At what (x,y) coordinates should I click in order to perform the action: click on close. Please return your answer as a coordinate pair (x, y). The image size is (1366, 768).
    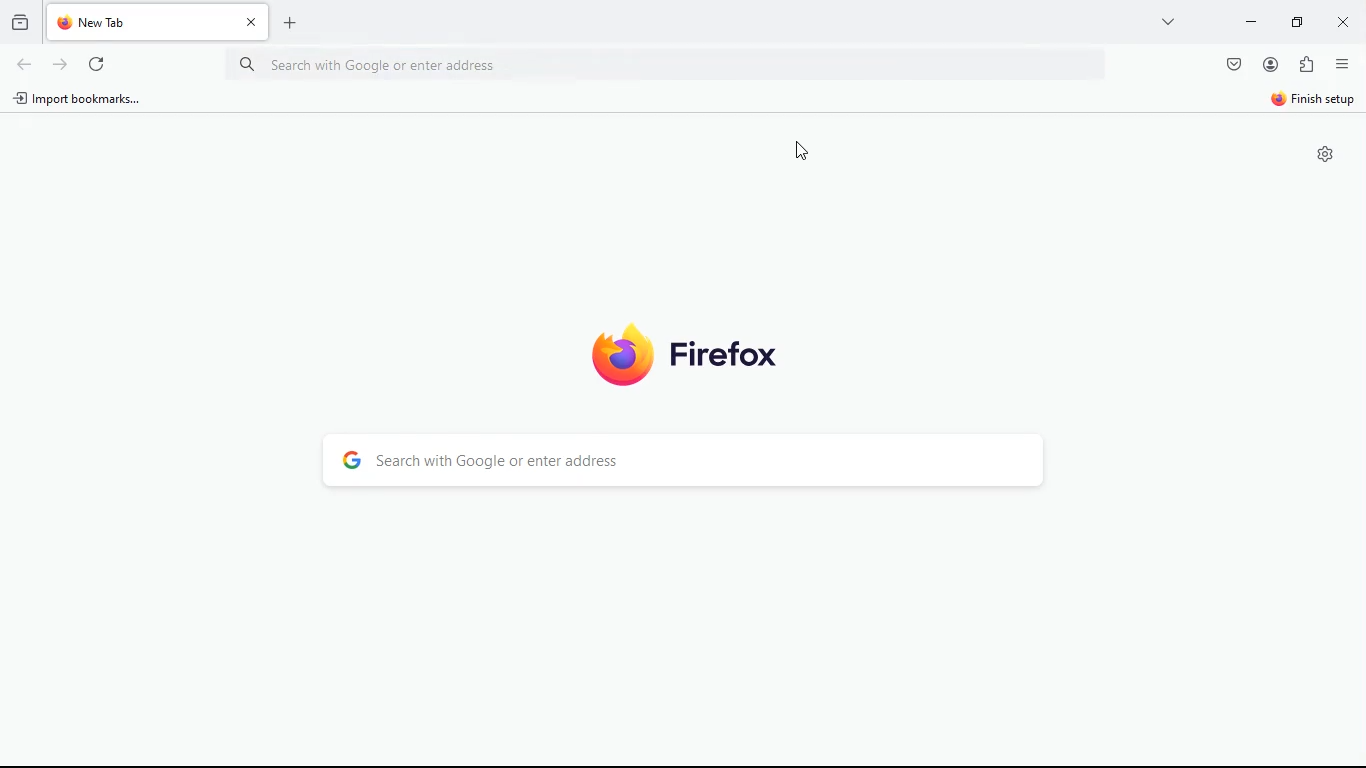
    Looking at the image, I should click on (1340, 21).